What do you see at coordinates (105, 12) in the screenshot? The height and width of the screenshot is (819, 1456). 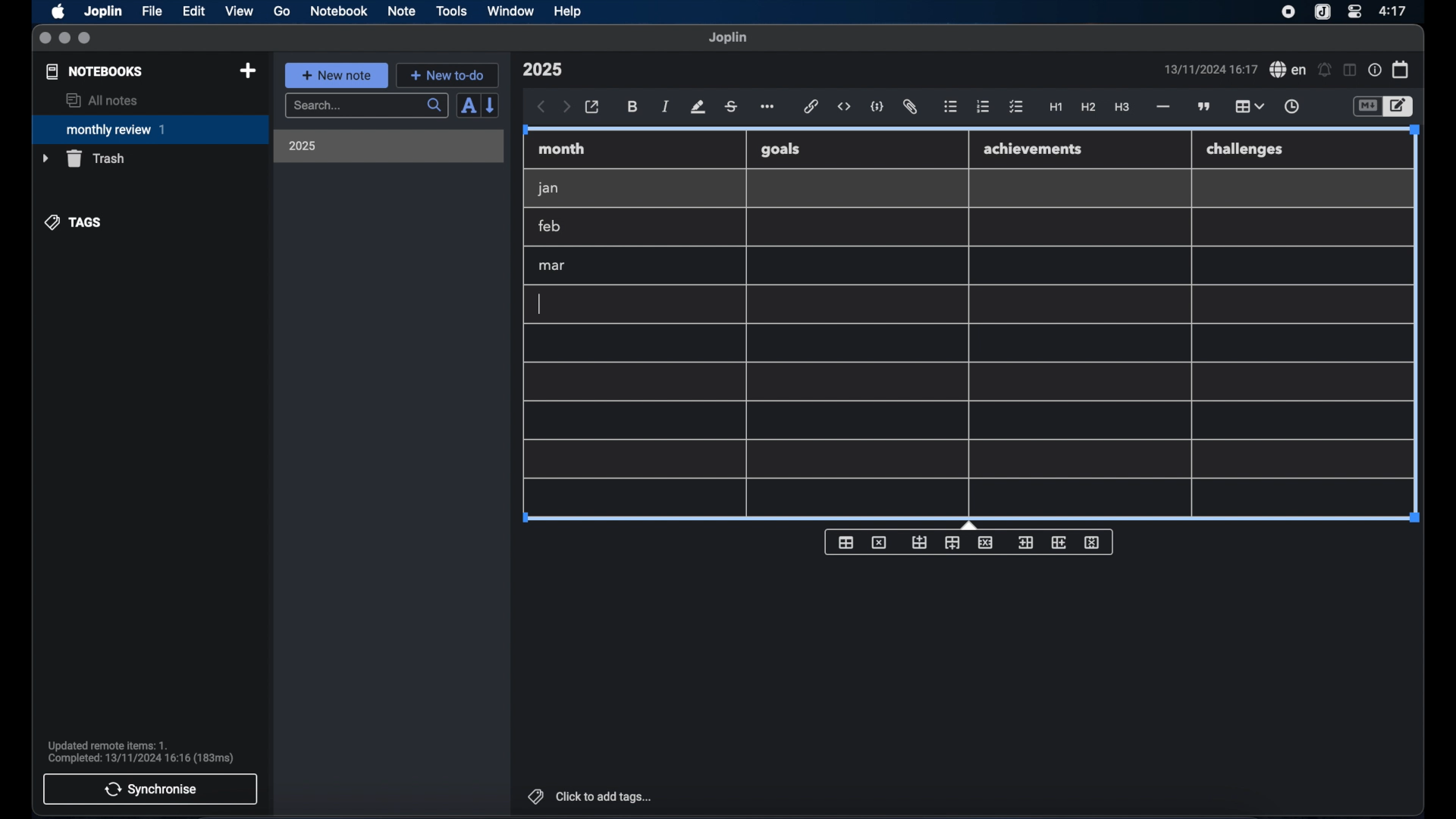 I see `Joplin` at bounding box center [105, 12].